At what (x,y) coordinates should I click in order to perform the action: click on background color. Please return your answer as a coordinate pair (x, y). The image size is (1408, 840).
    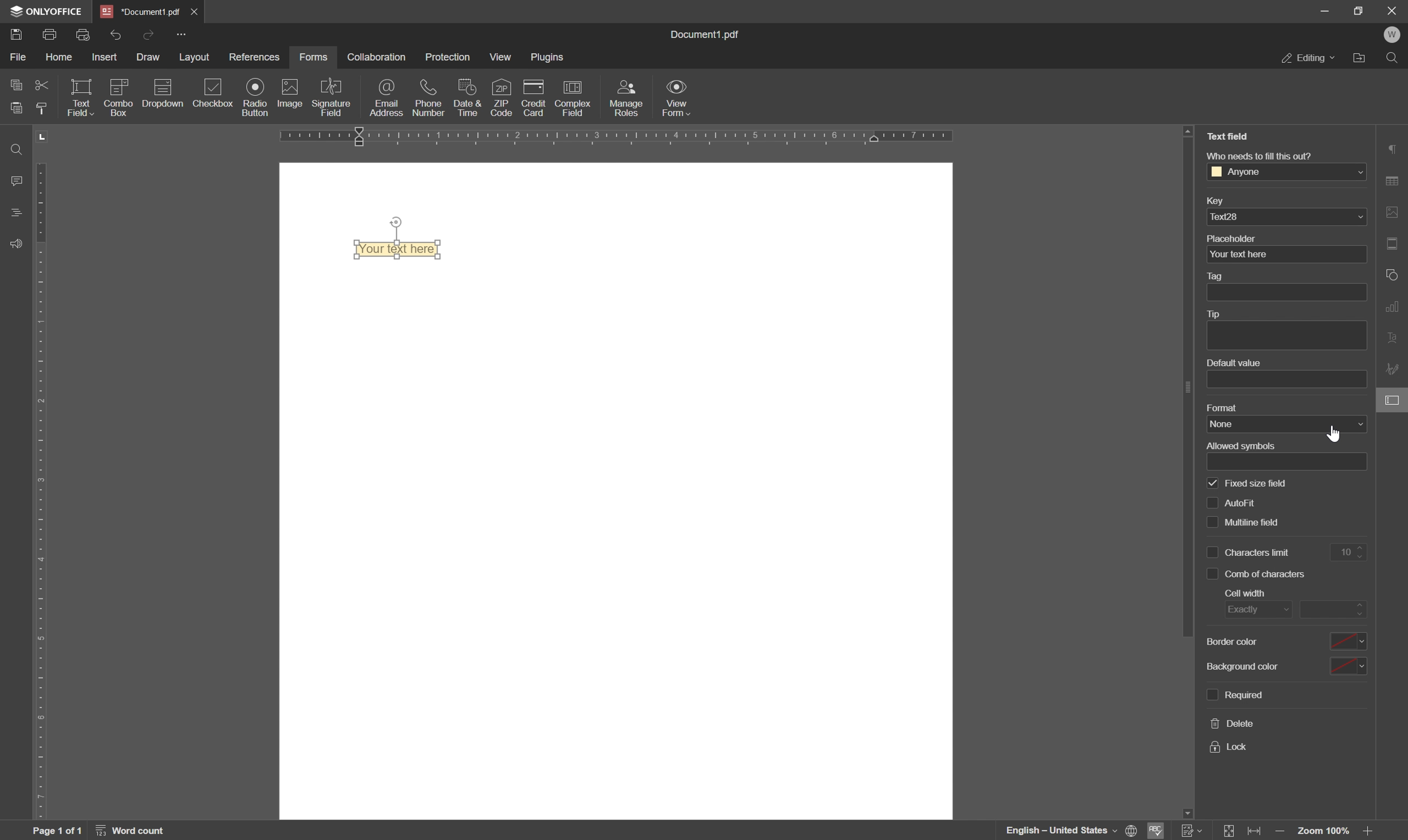
    Looking at the image, I should click on (1240, 666).